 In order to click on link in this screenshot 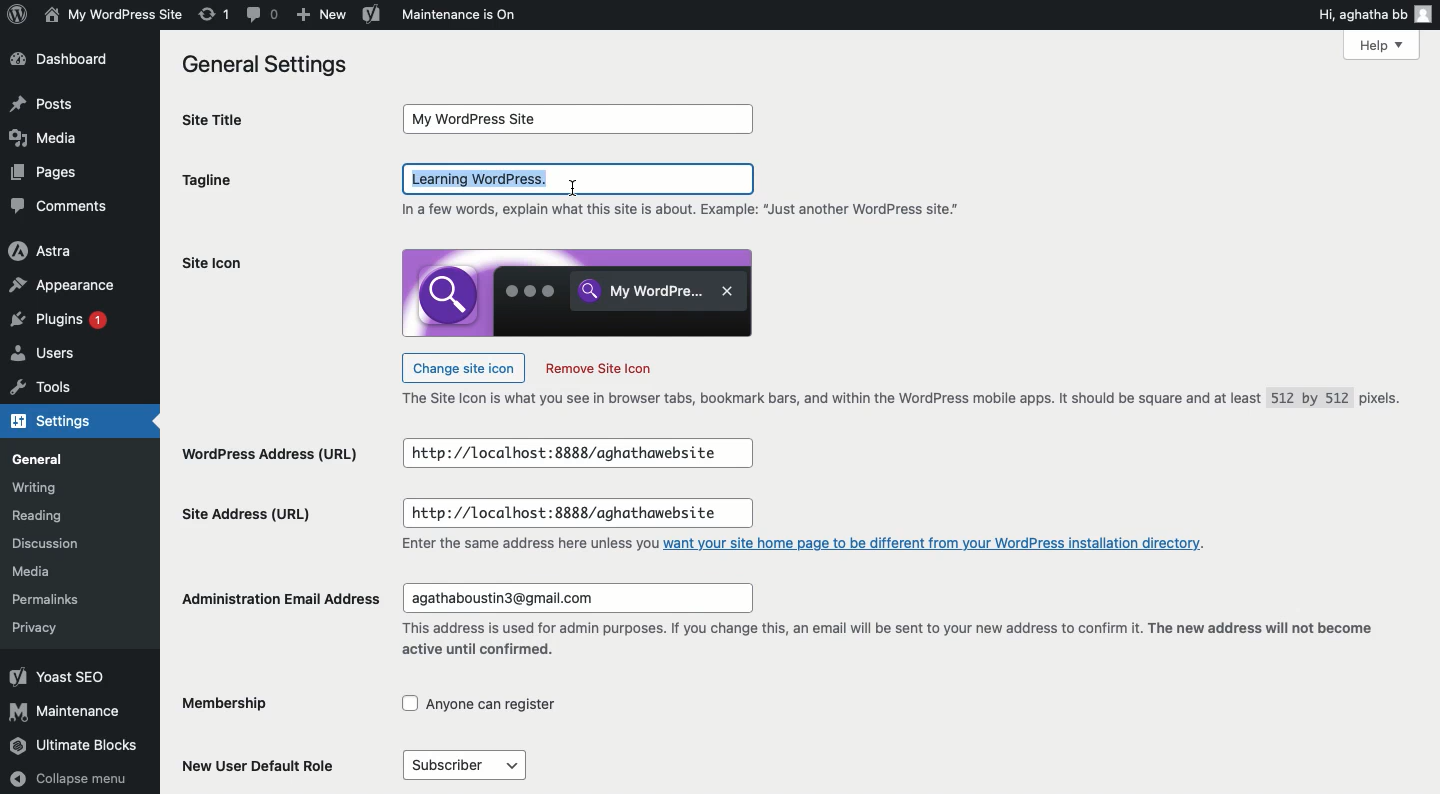, I will do `click(936, 542)`.